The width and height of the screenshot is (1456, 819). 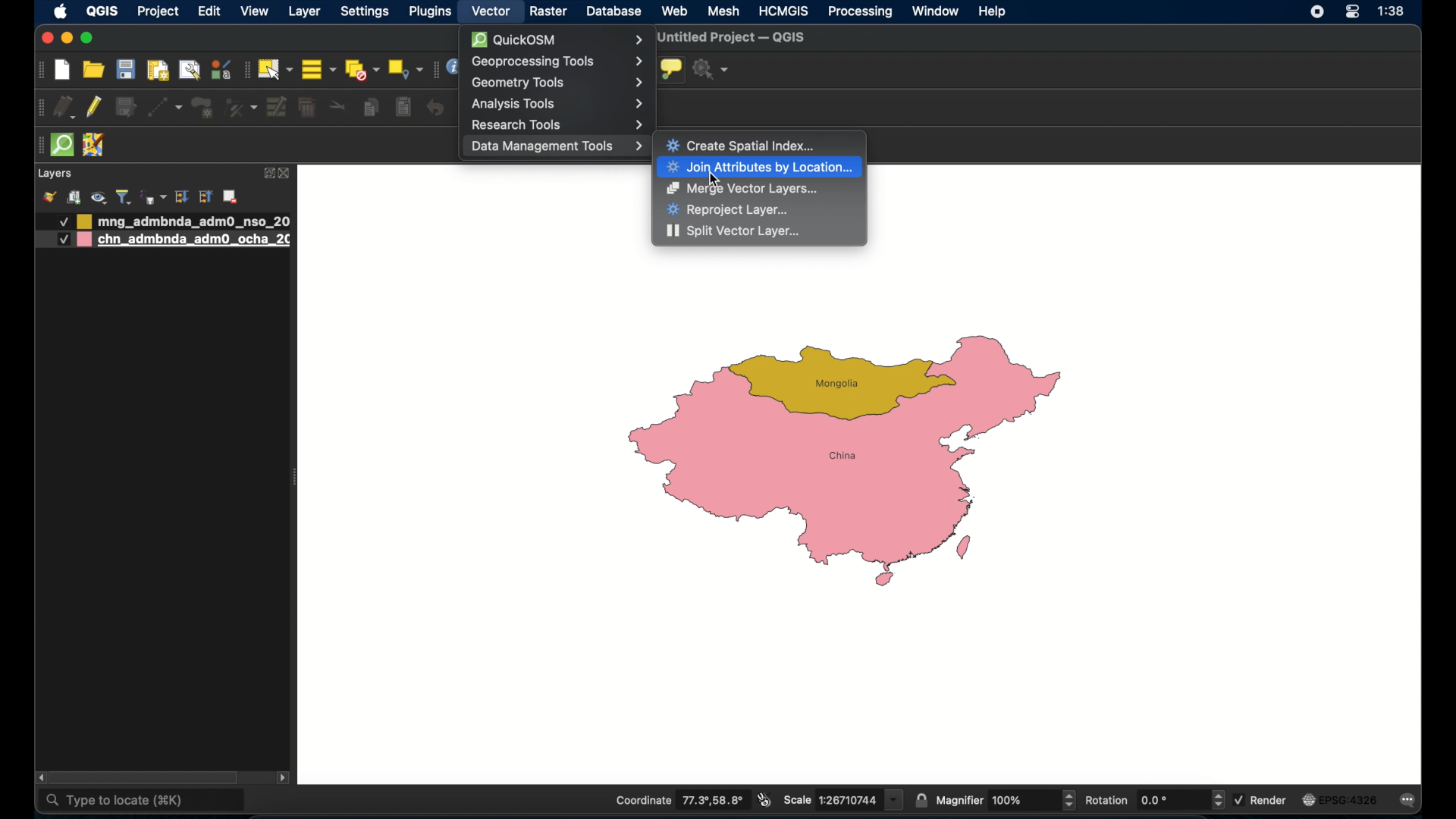 I want to click on close, so click(x=47, y=39).